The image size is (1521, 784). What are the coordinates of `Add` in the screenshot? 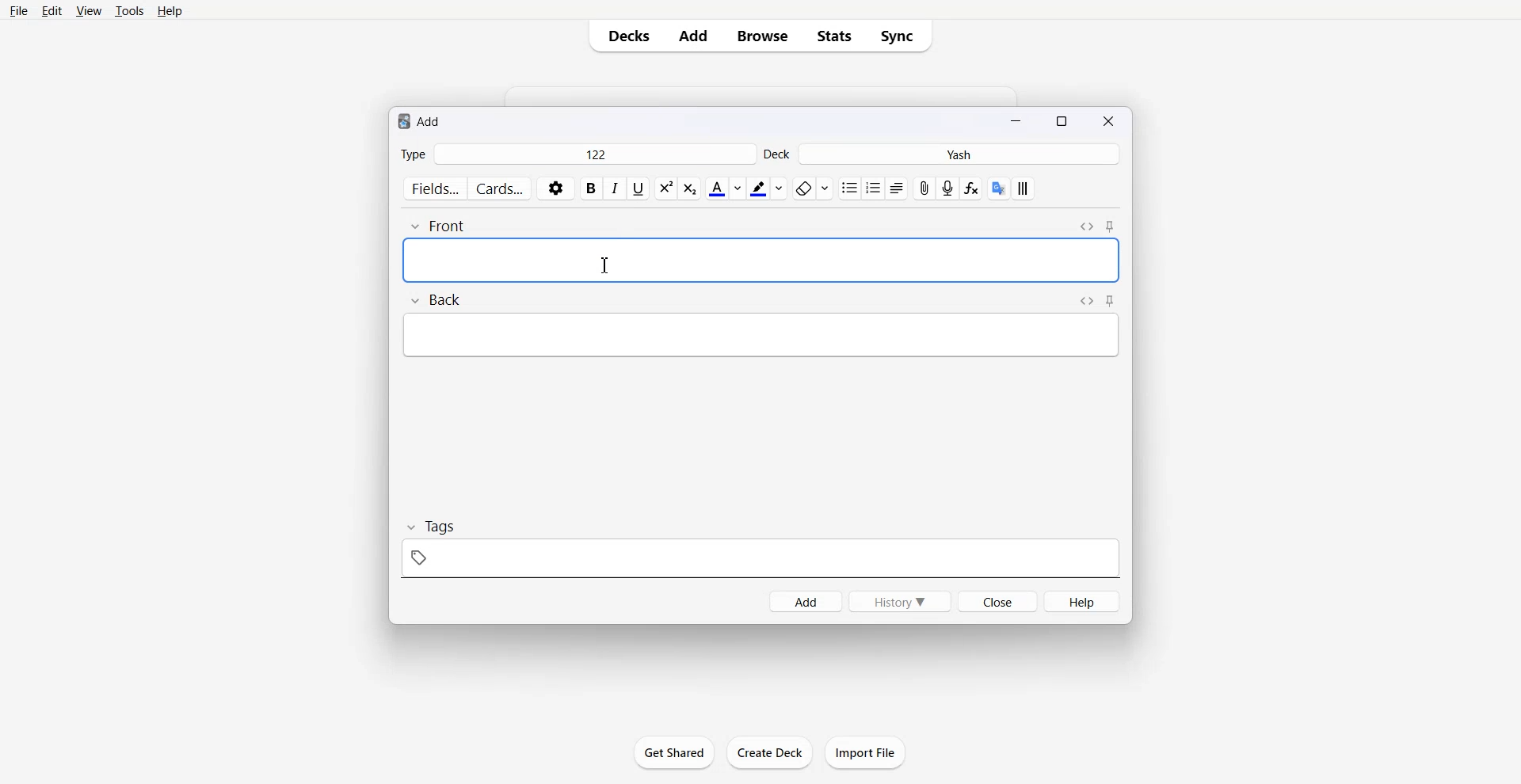 It's located at (805, 601).